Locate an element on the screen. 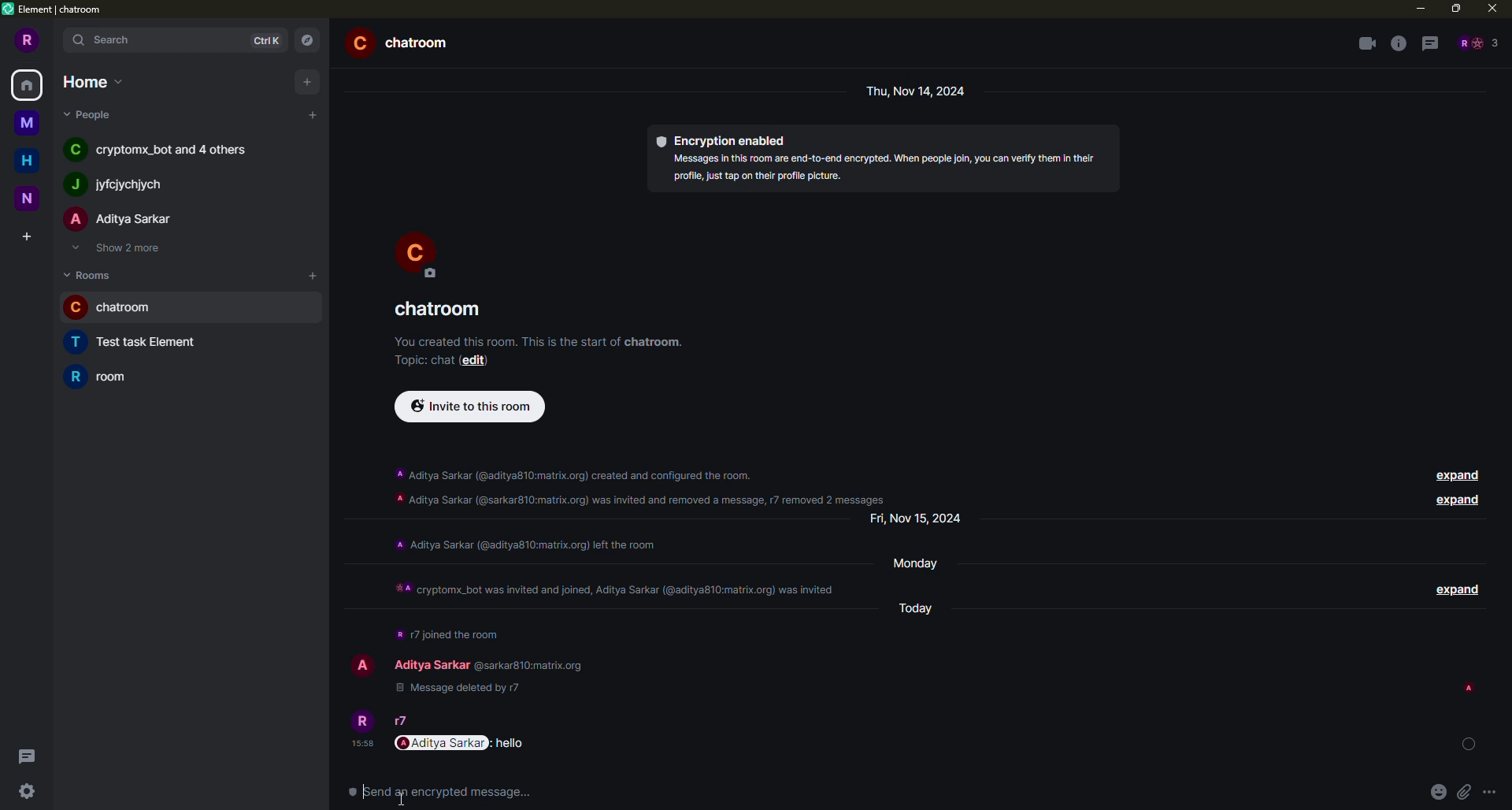 This screenshot has height=810, width=1512. info is located at coordinates (638, 485).